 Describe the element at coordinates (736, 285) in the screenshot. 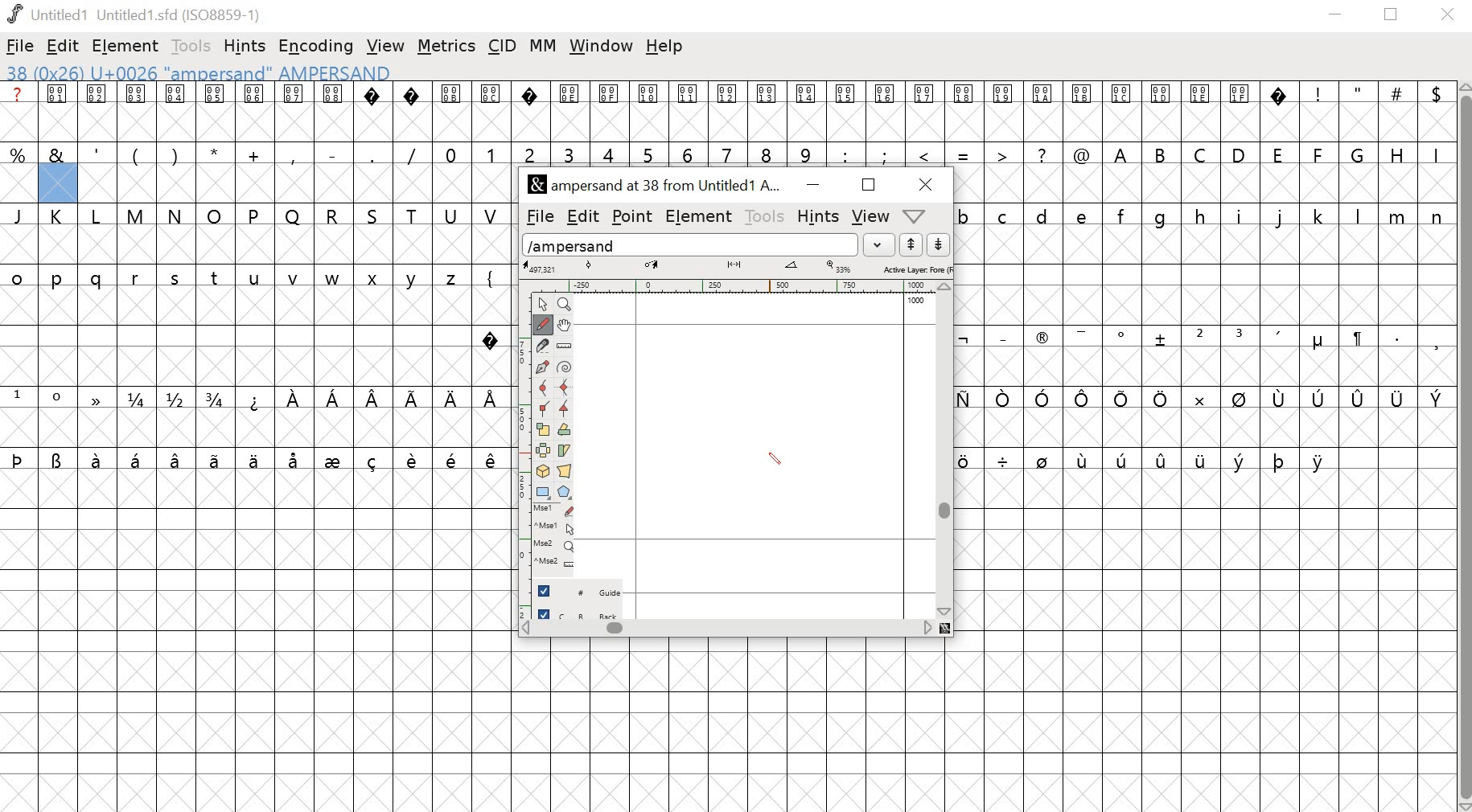

I see `horizontal ruler` at that location.